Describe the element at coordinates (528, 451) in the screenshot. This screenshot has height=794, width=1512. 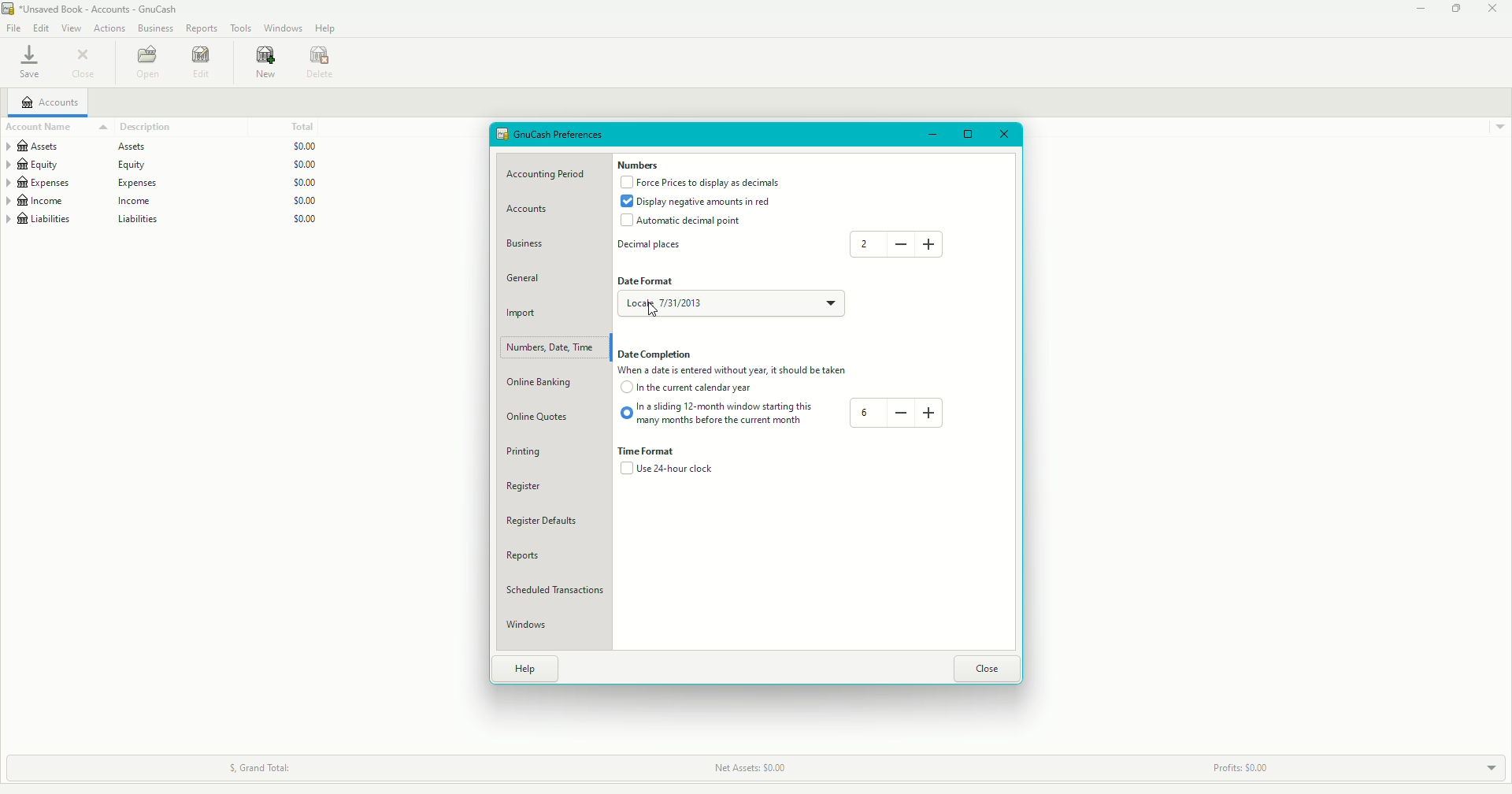
I see `Printing` at that location.